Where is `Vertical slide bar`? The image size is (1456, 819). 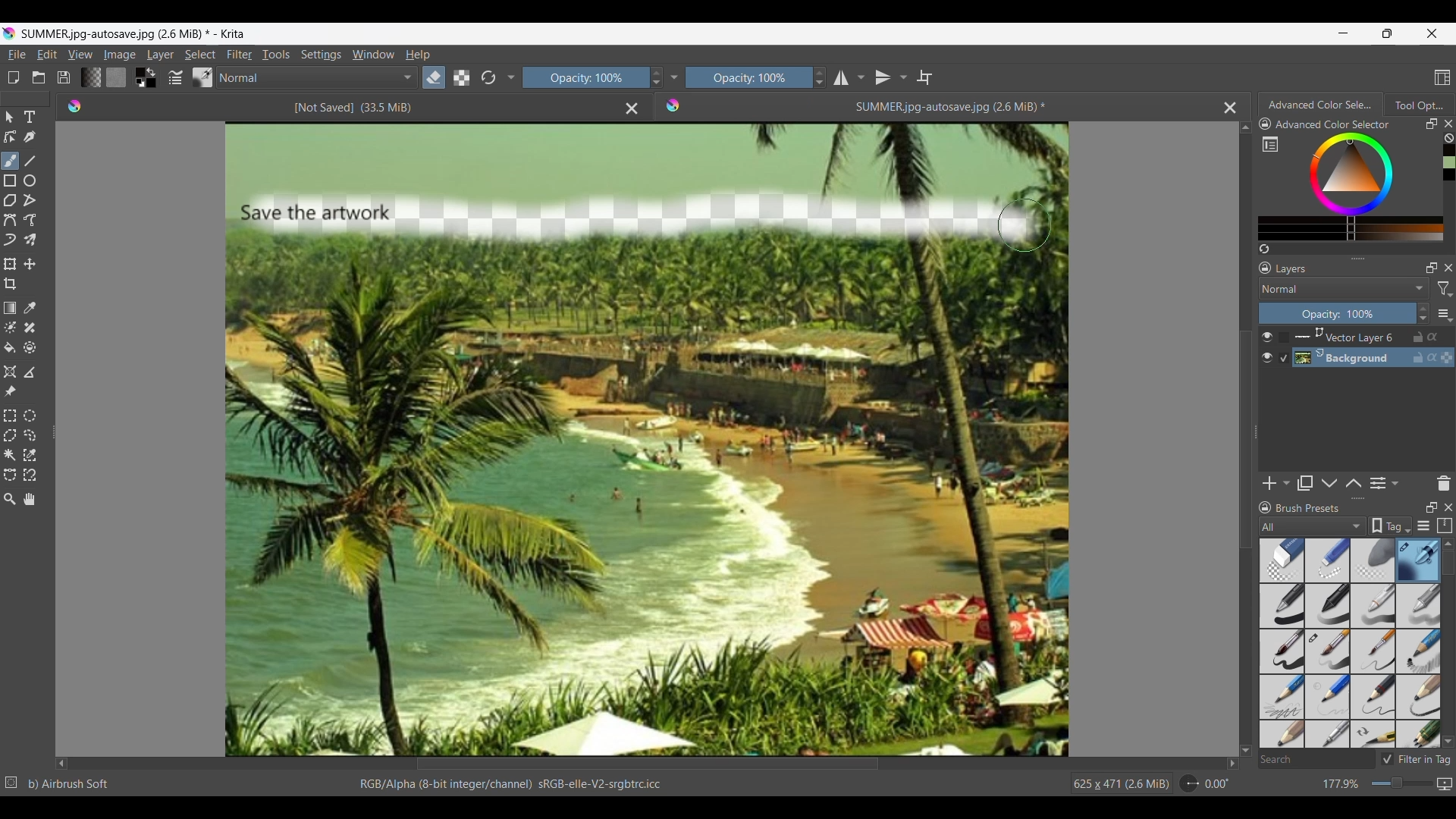 Vertical slide bar is located at coordinates (1244, 440).